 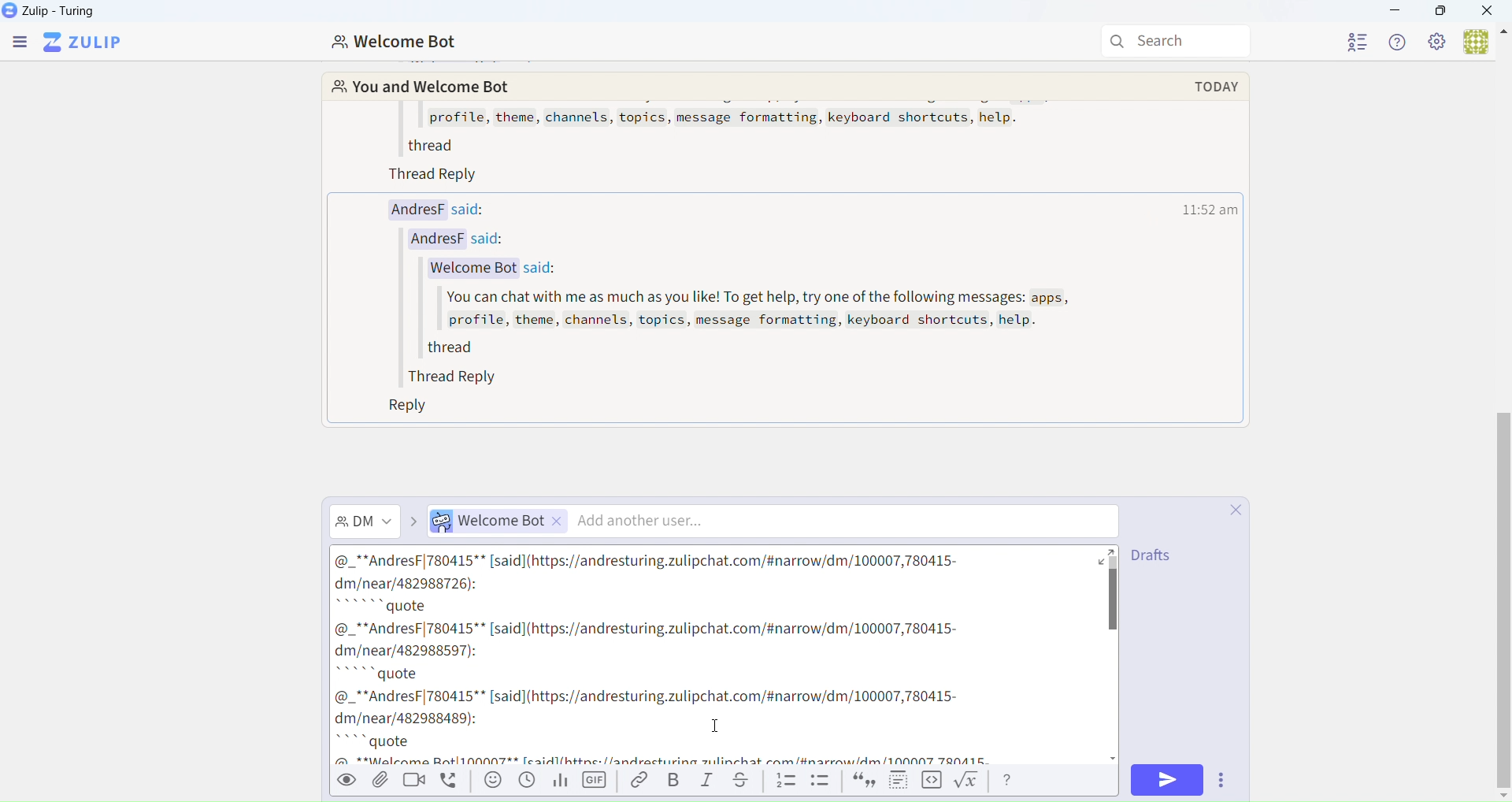 I want to click on quote, so click(x=863, y=782).